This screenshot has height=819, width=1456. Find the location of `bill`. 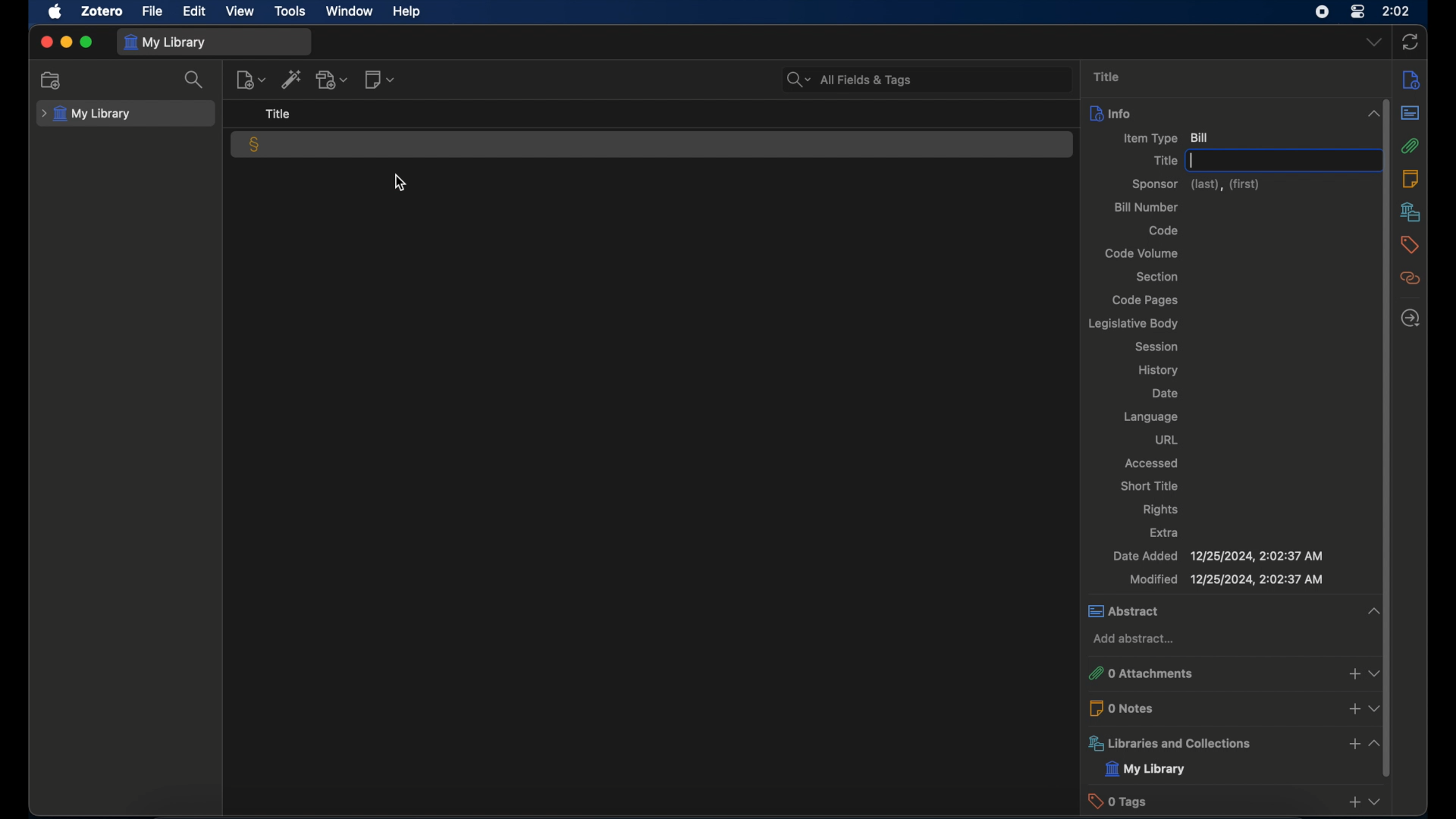

bill is located at coordinates (255, 145).